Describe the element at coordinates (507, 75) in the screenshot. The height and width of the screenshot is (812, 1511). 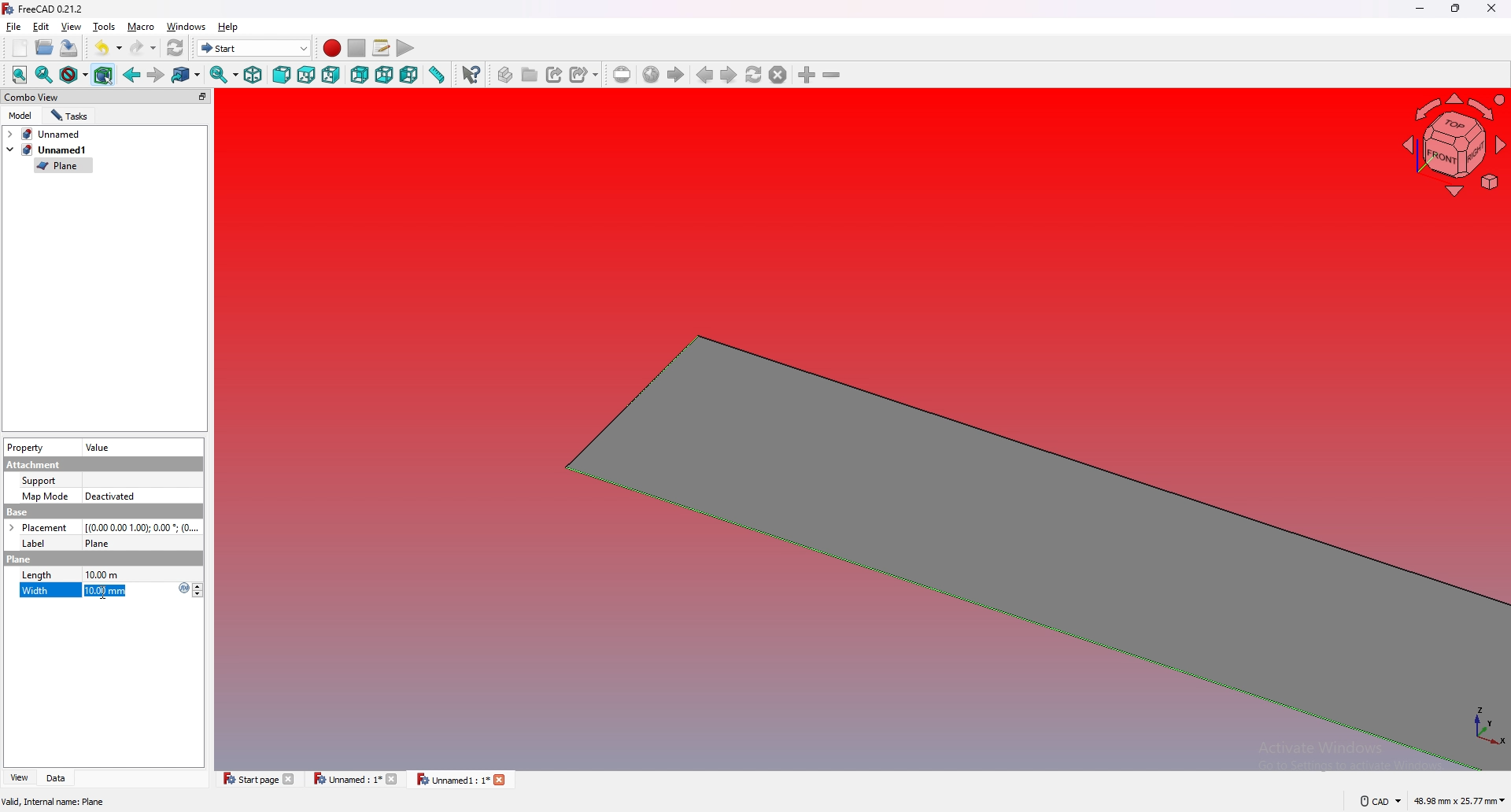
I see `create part` at that location.